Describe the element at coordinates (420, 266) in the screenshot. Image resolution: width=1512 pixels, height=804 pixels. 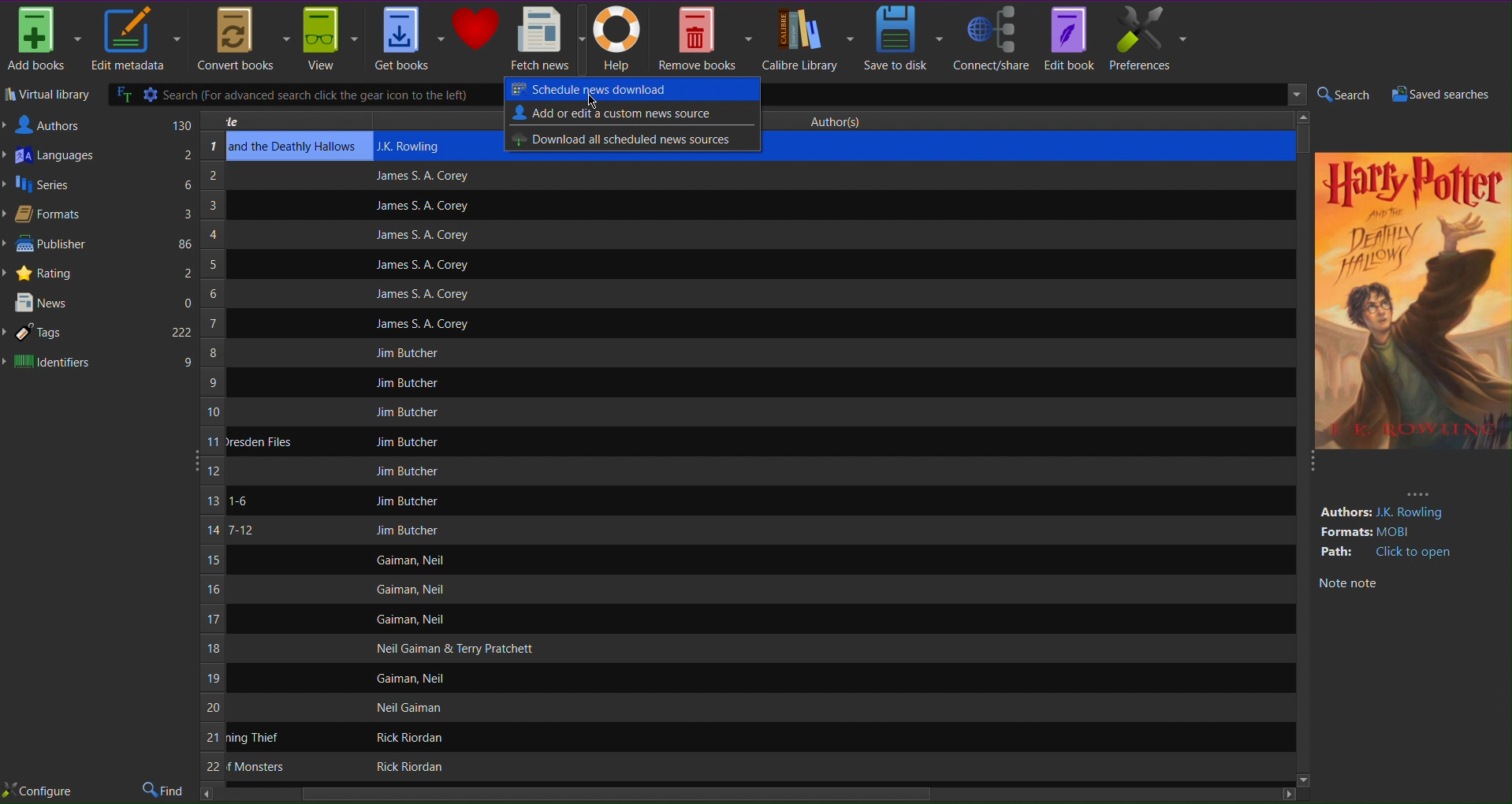
I see `James S. A. Corey` at that location.